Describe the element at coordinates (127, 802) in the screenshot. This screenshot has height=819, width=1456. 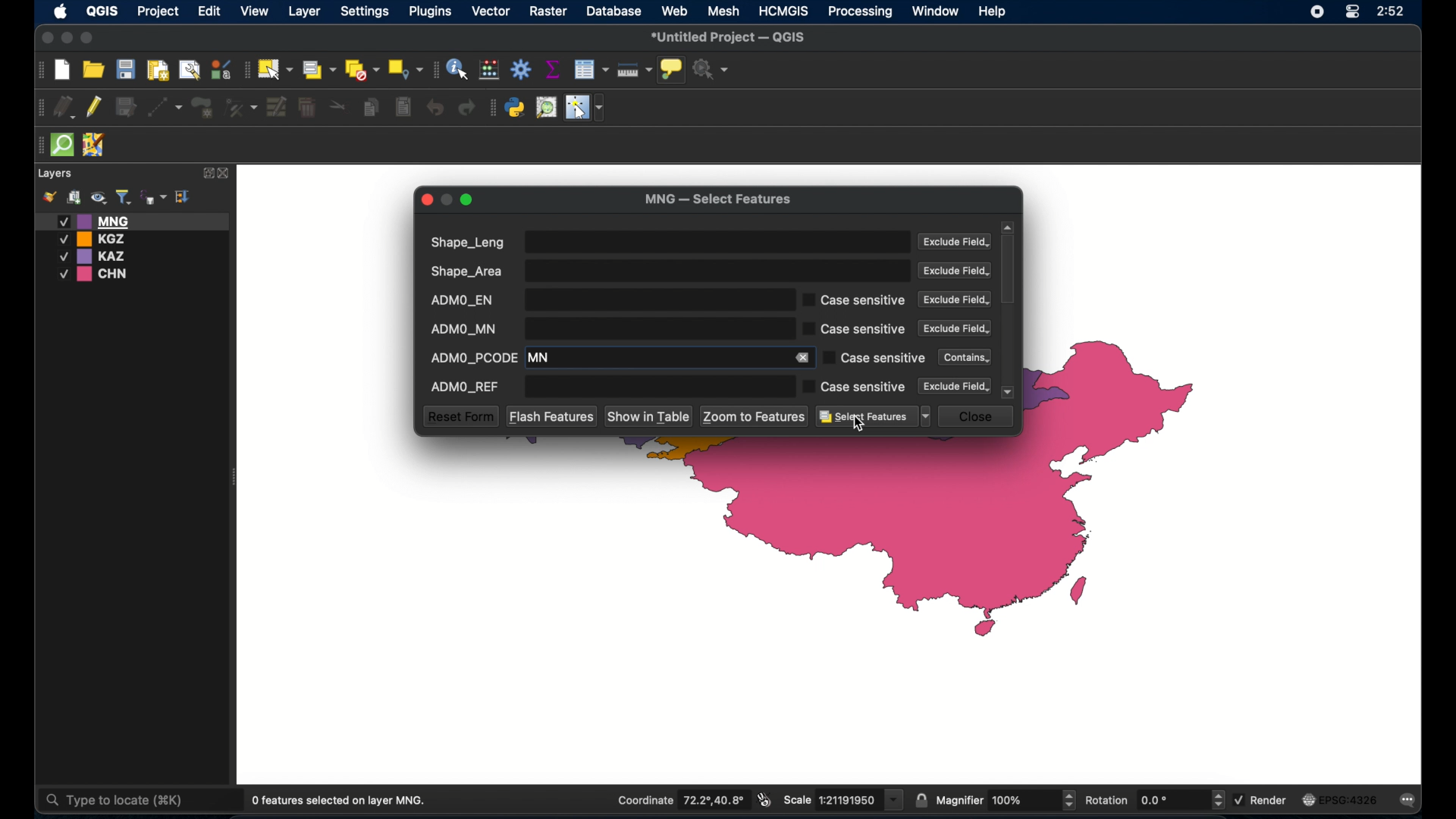
I see `Type to locate (#K)` at that location.